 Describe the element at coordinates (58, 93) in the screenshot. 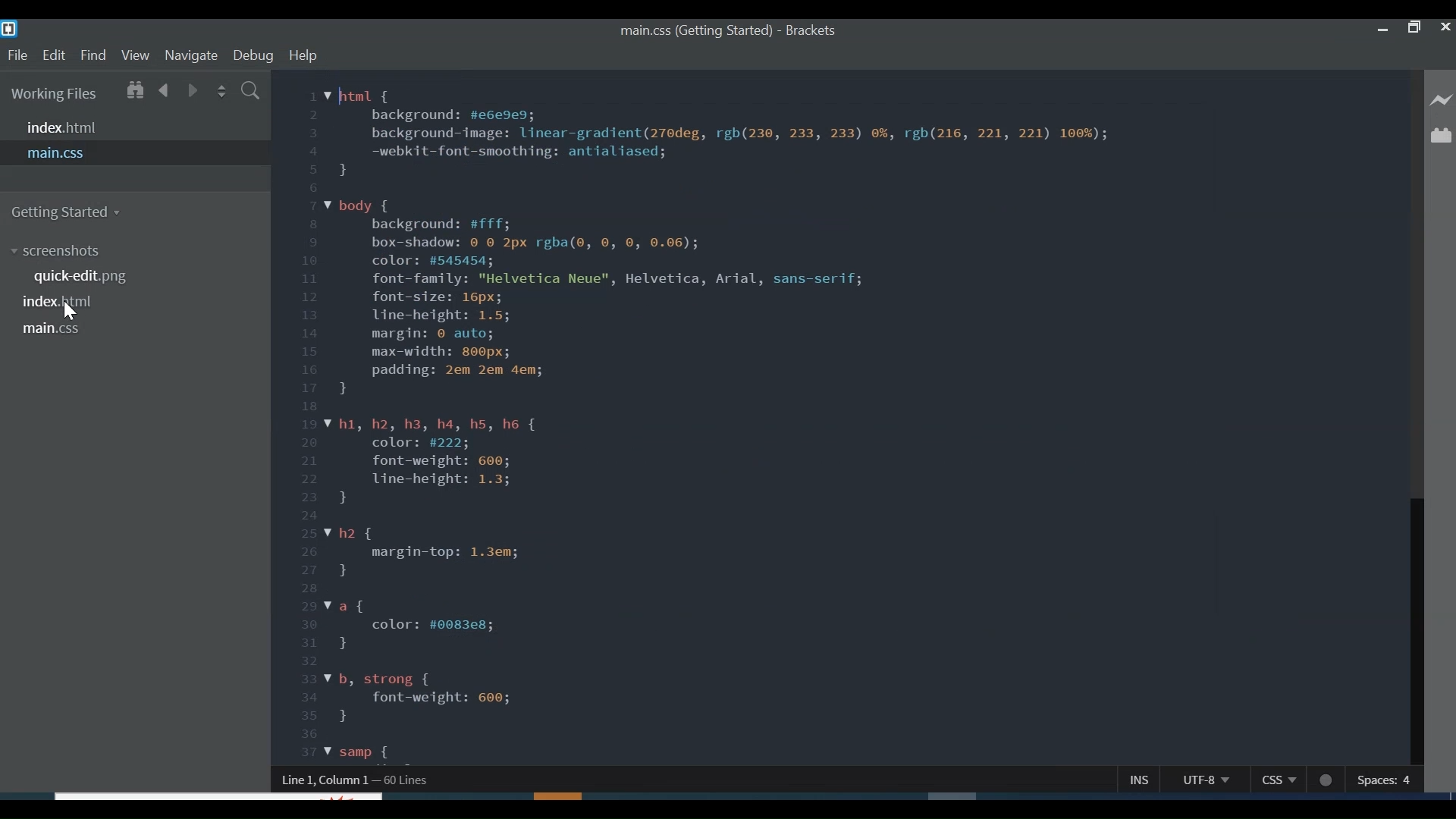

I see `Working Files` at that location.